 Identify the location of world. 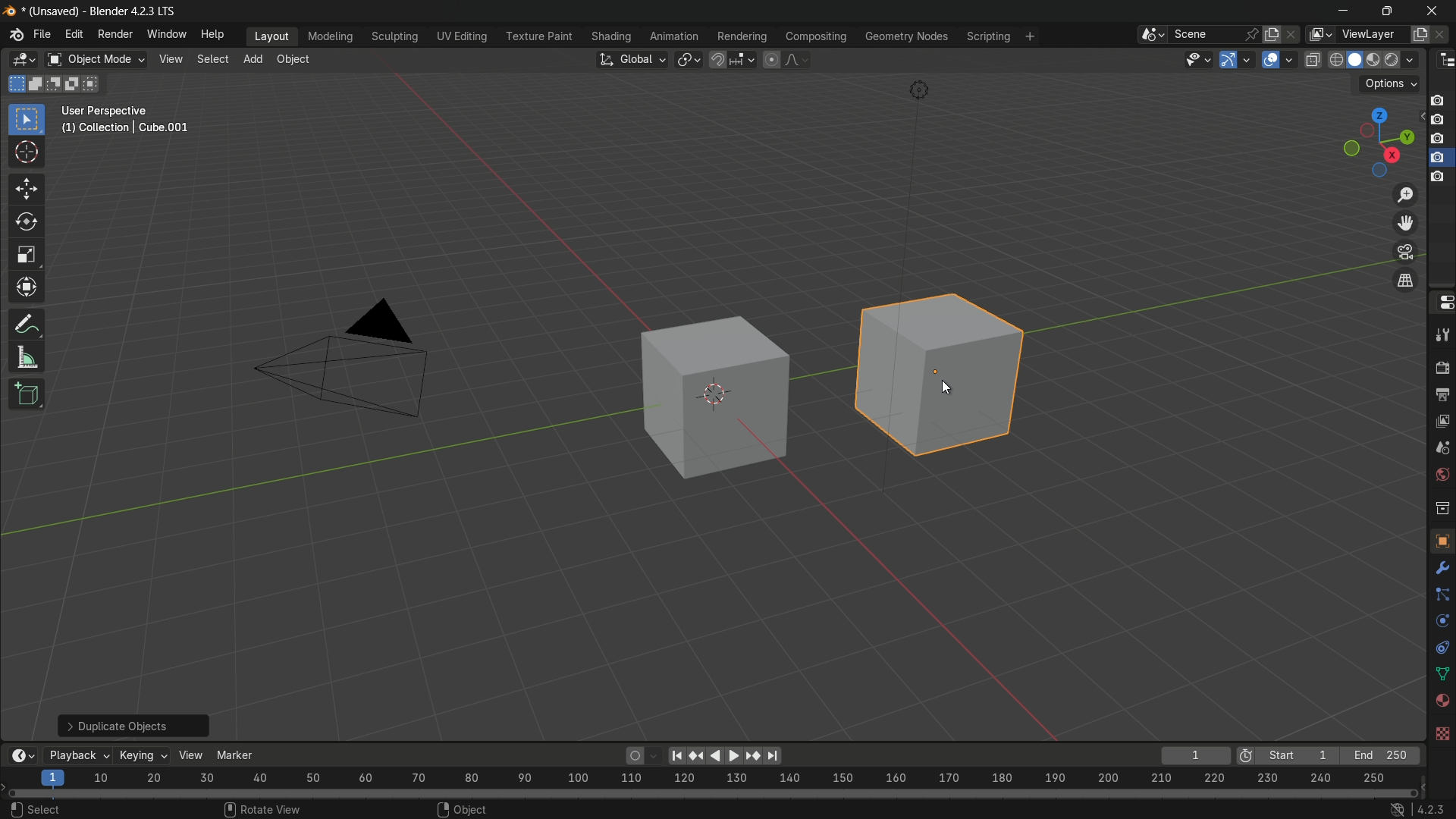
(1442, 473).